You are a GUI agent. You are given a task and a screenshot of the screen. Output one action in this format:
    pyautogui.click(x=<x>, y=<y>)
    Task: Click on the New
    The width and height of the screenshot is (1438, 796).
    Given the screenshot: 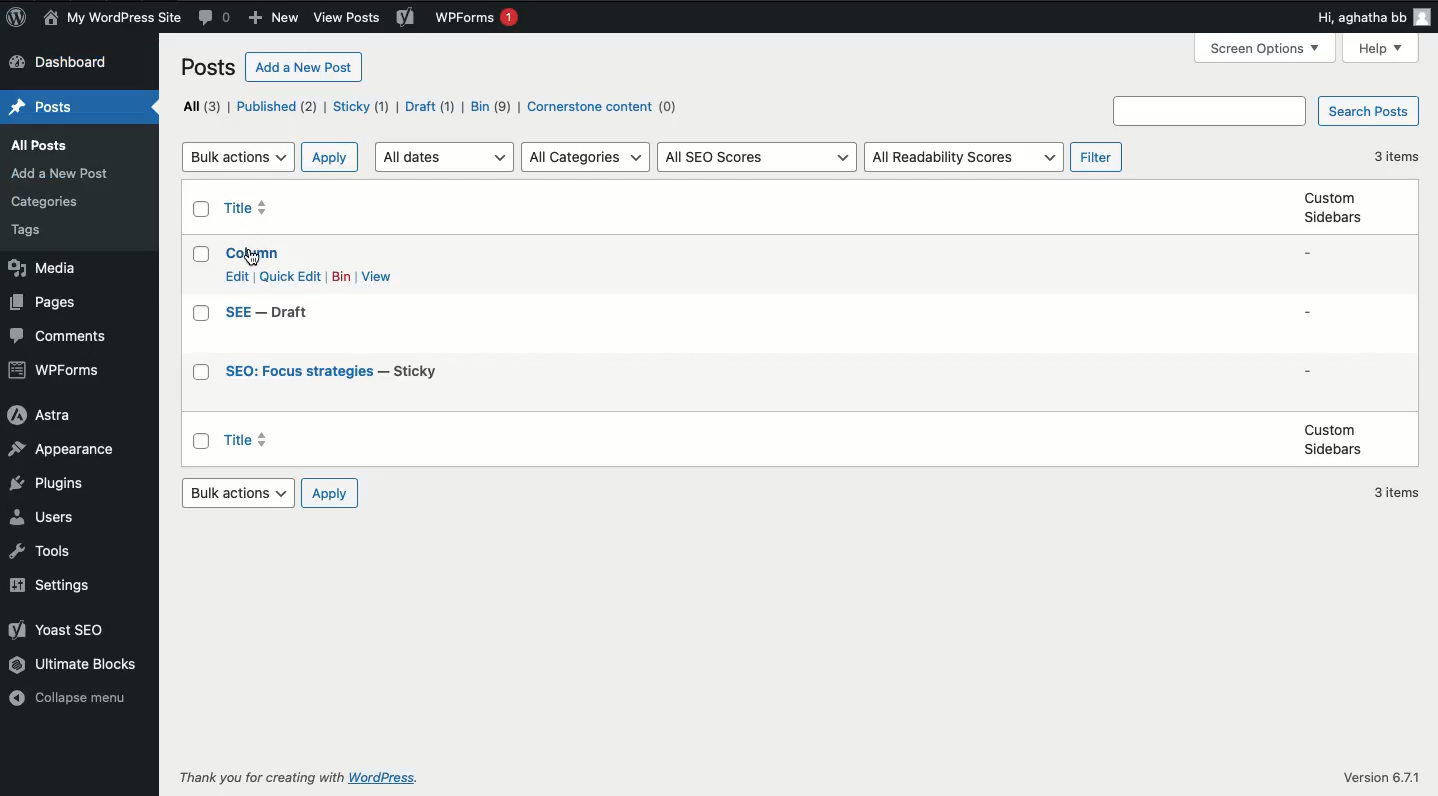 What is the action you would take?
    pyautogui.click(x=278, y=17)
    